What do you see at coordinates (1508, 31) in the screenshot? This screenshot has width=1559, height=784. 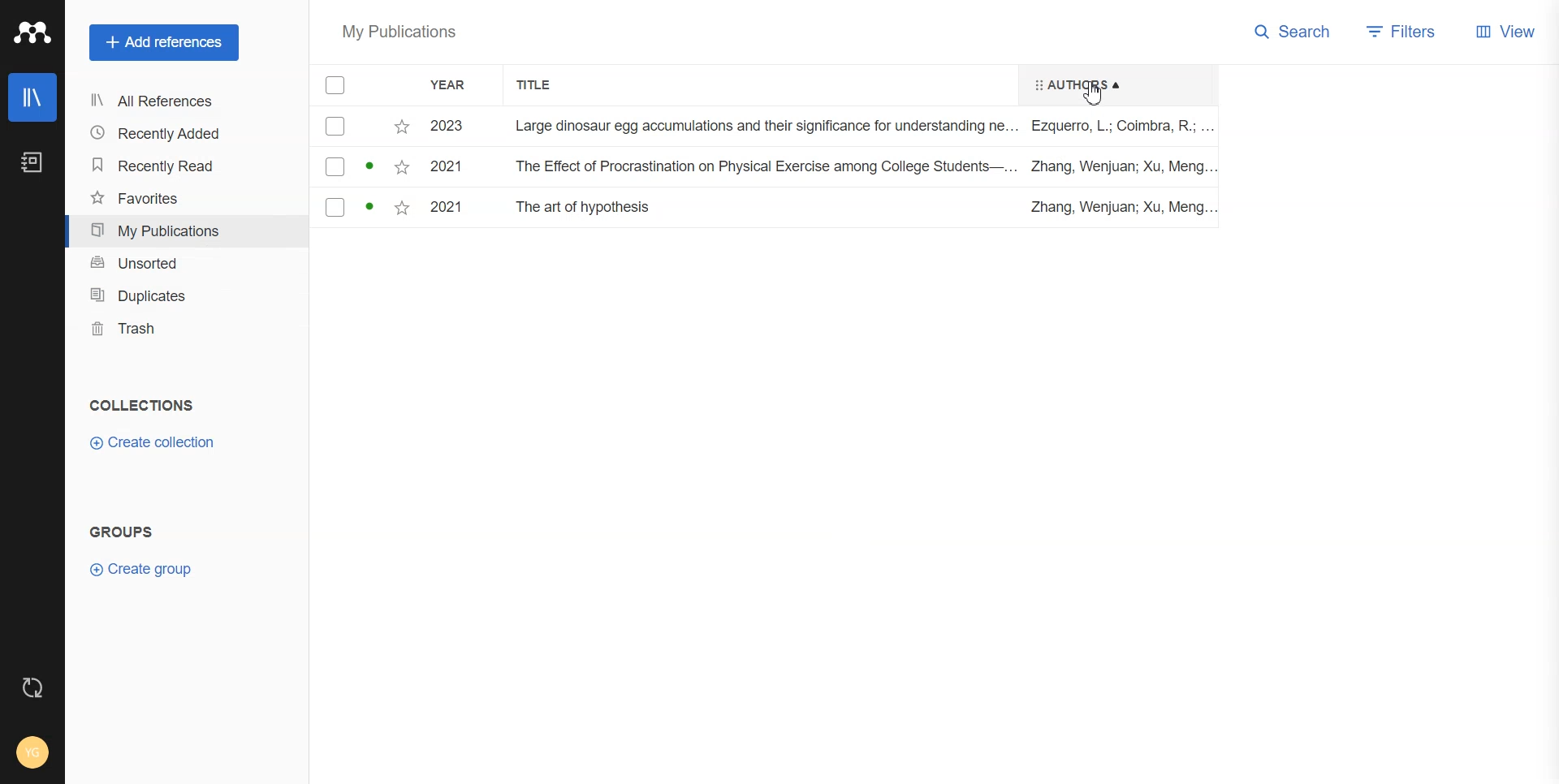 I see `View` at bounding box center [1508, 31].